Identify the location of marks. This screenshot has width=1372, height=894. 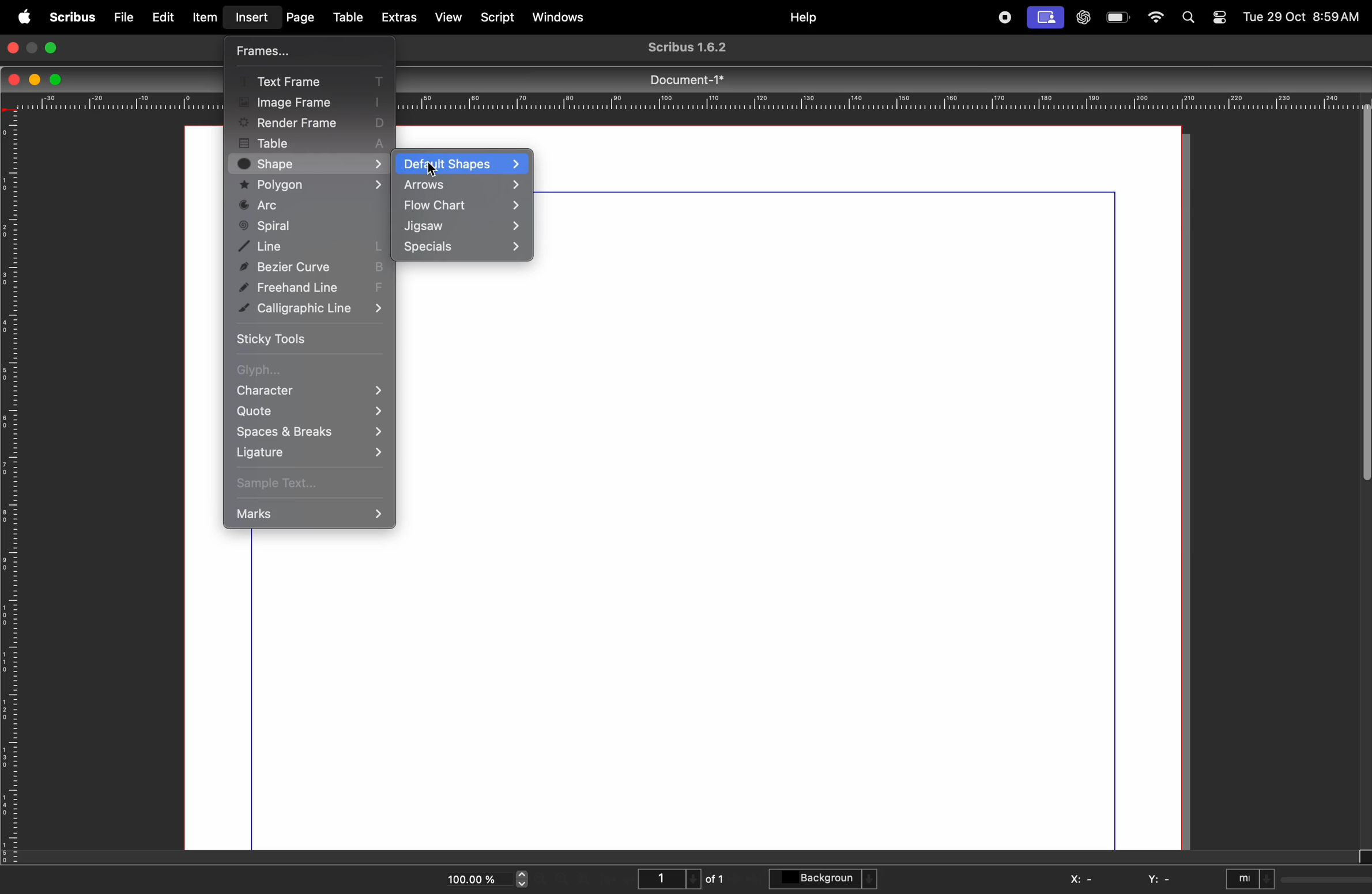
(310, 512).